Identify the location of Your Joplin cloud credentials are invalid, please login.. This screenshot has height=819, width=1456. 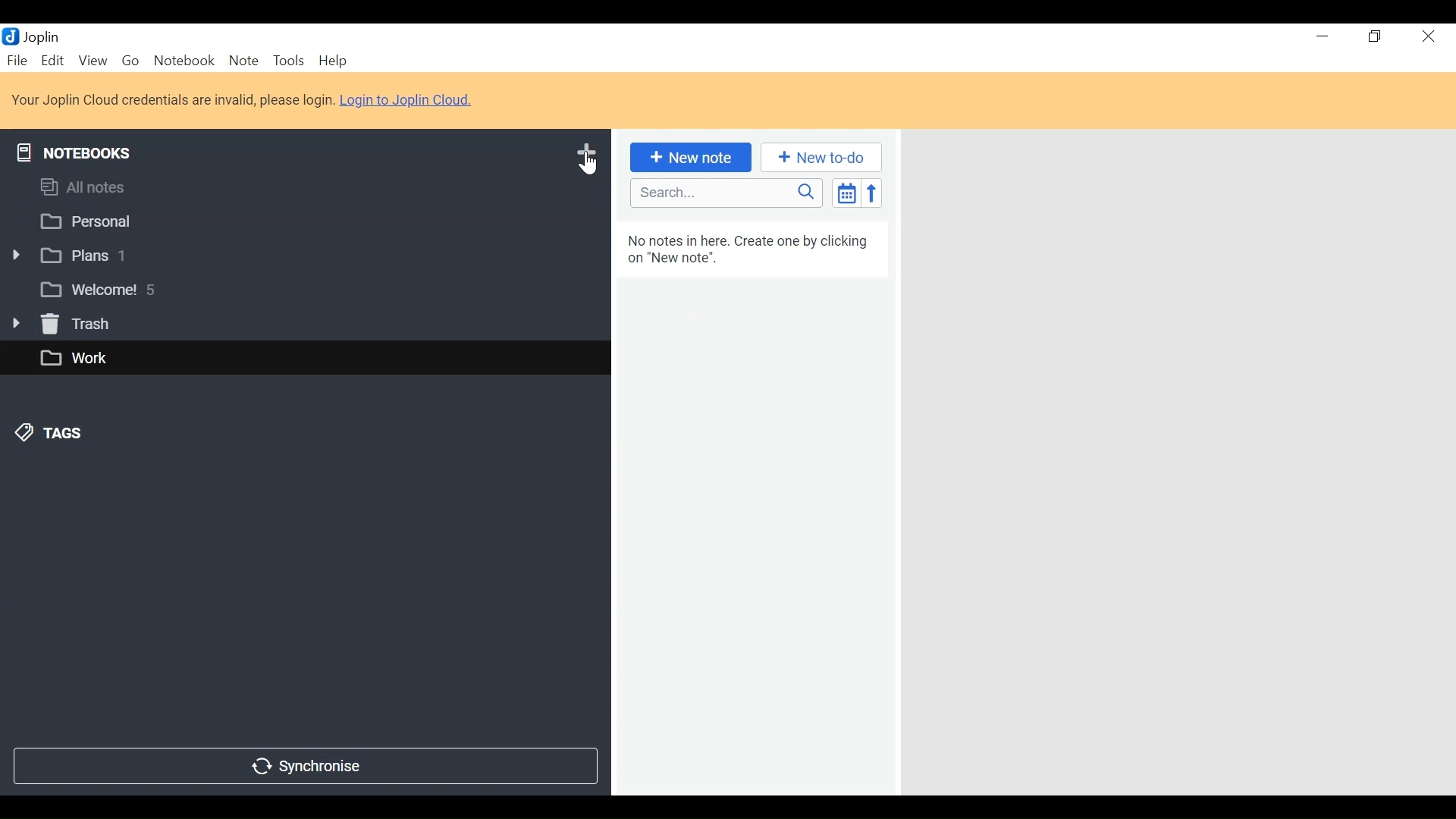
(174, 99).